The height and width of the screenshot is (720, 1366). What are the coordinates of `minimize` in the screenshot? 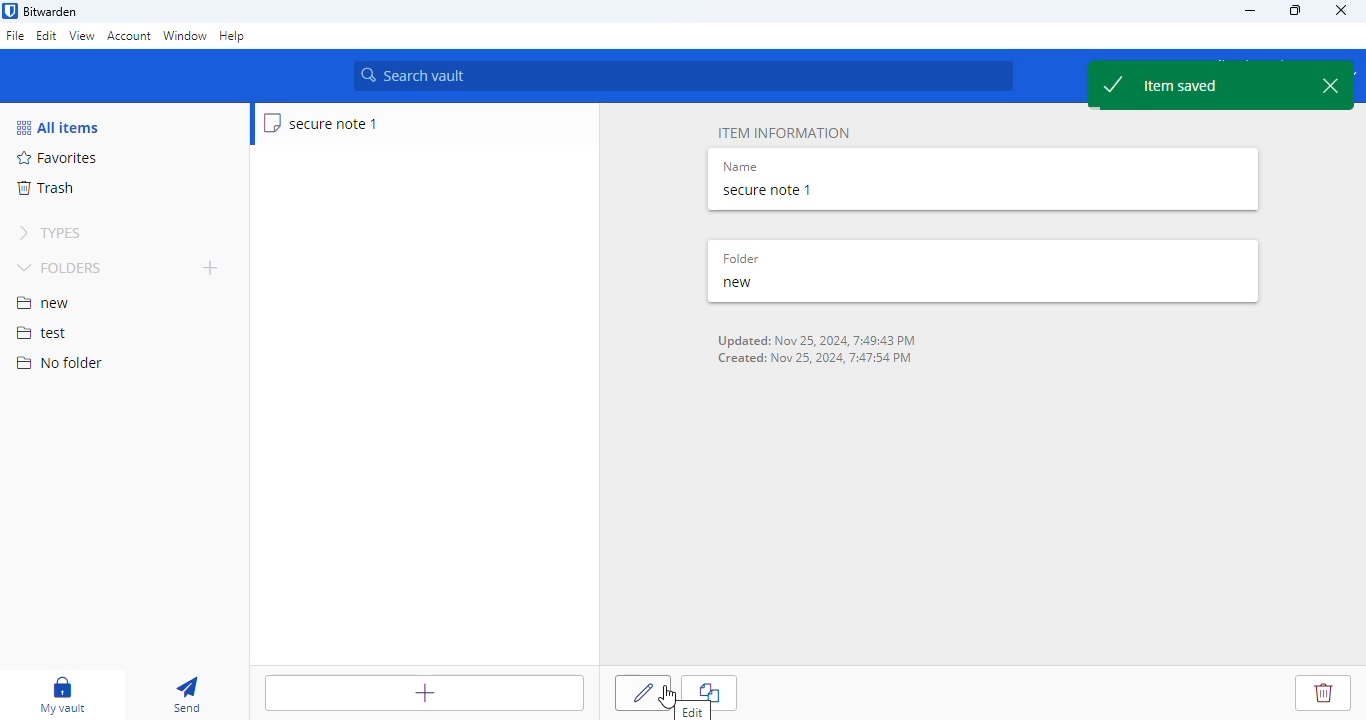 It's located at (1249, 10).